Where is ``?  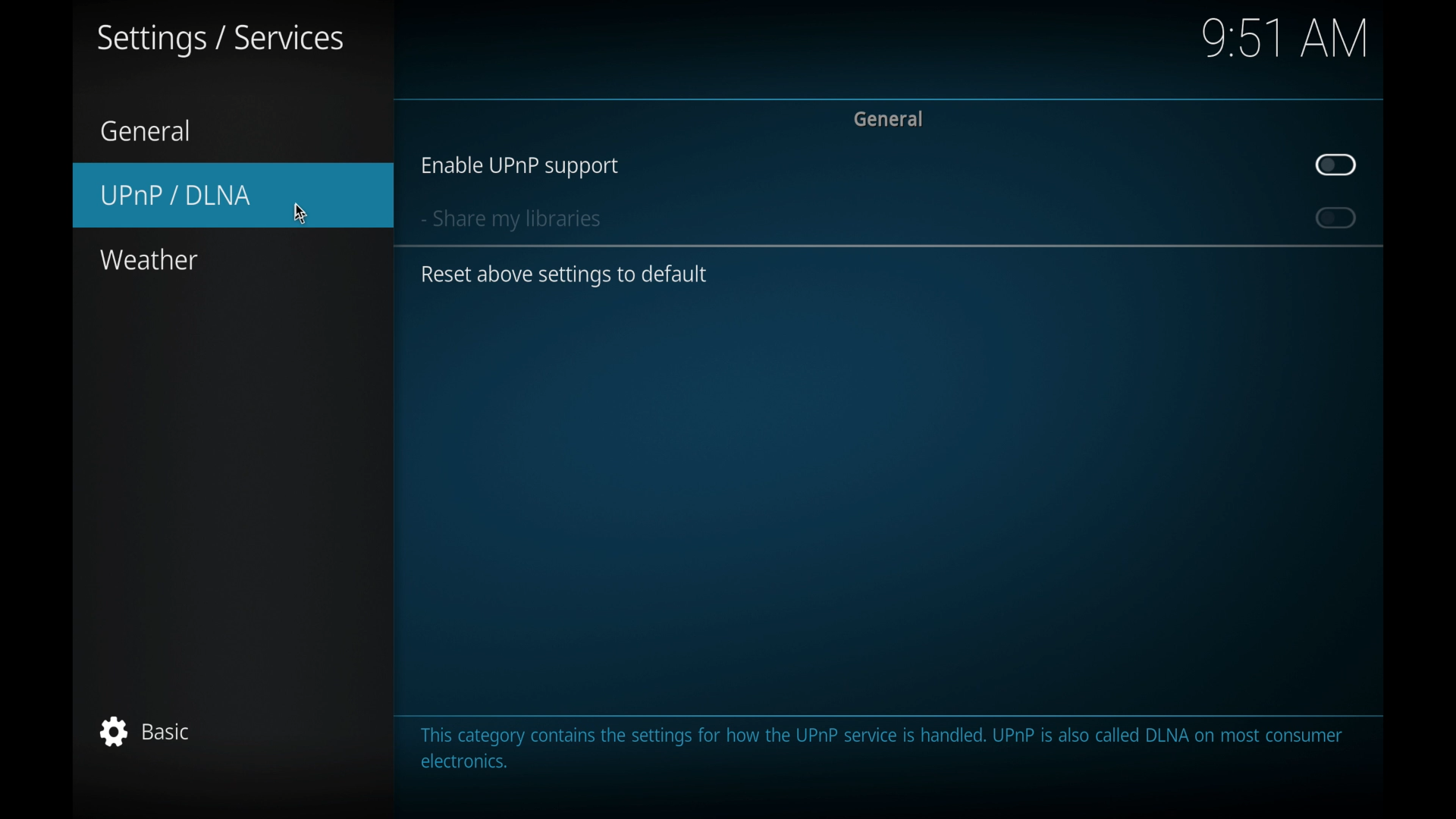
 is located at coordinates (300, 209).